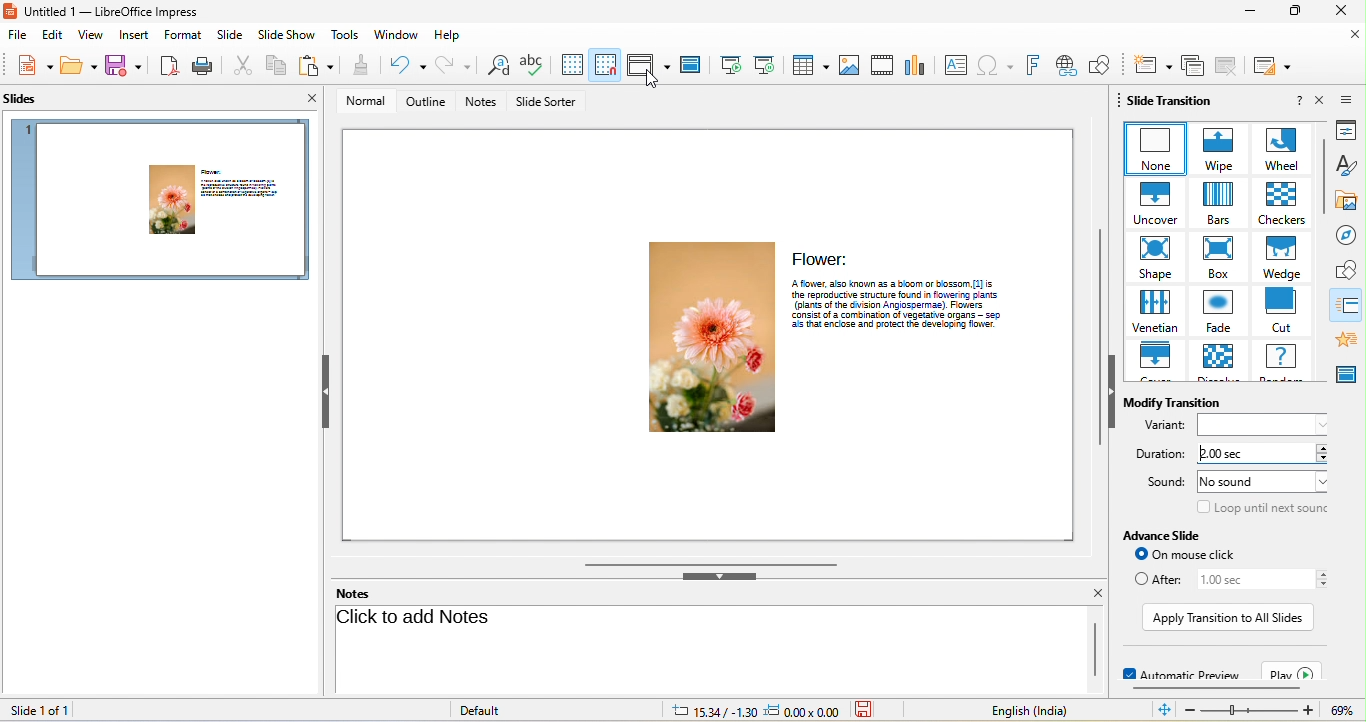  What do you see at coordinates (1247, 12) in the screenshot?
I see `minimize` at bounding box center [1247, 12].